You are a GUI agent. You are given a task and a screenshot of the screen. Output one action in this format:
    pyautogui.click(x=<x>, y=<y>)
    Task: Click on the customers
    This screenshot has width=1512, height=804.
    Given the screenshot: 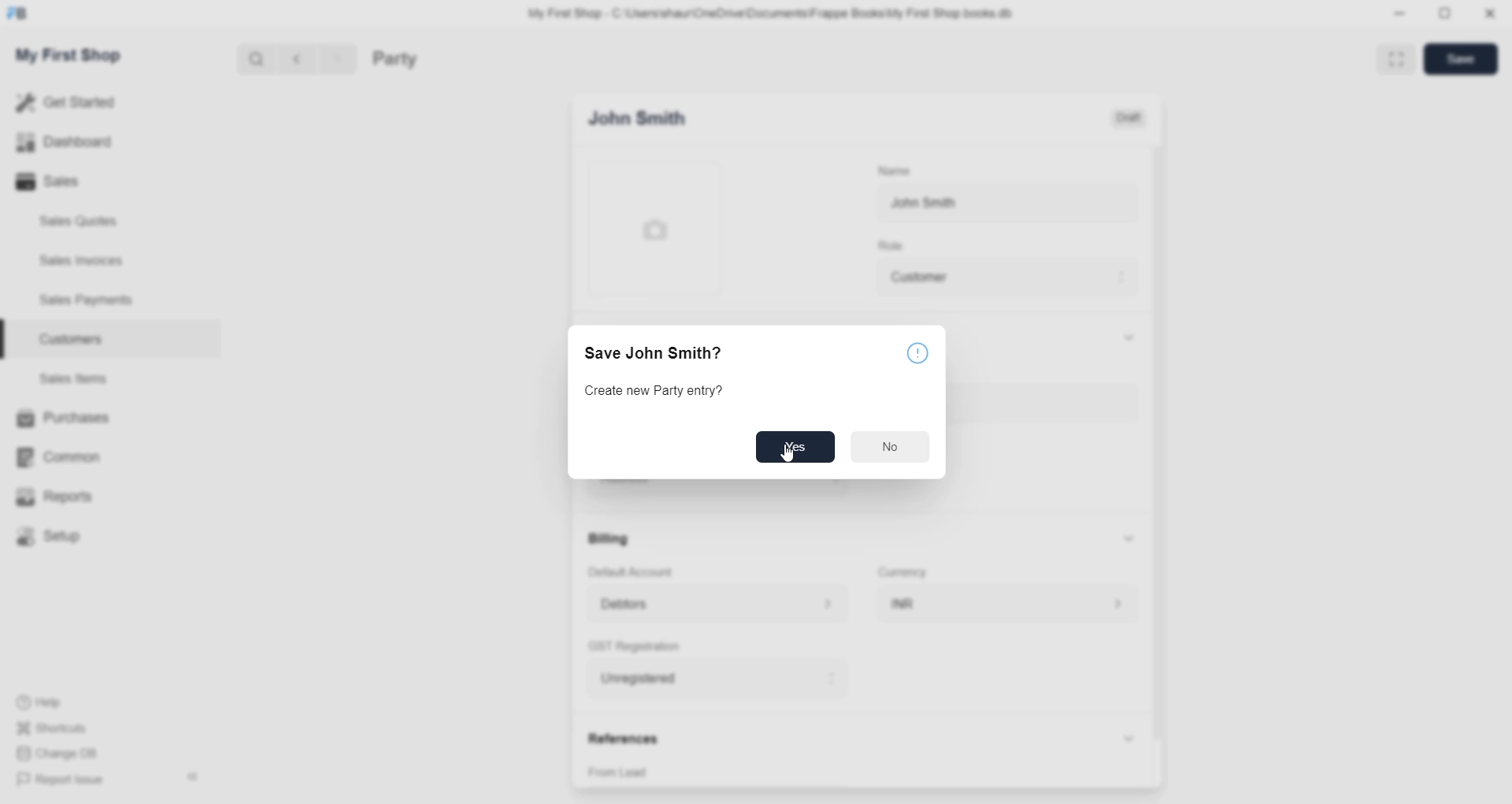 What is the action you would take?
    pyautogui.click(x=83, y=341)
    